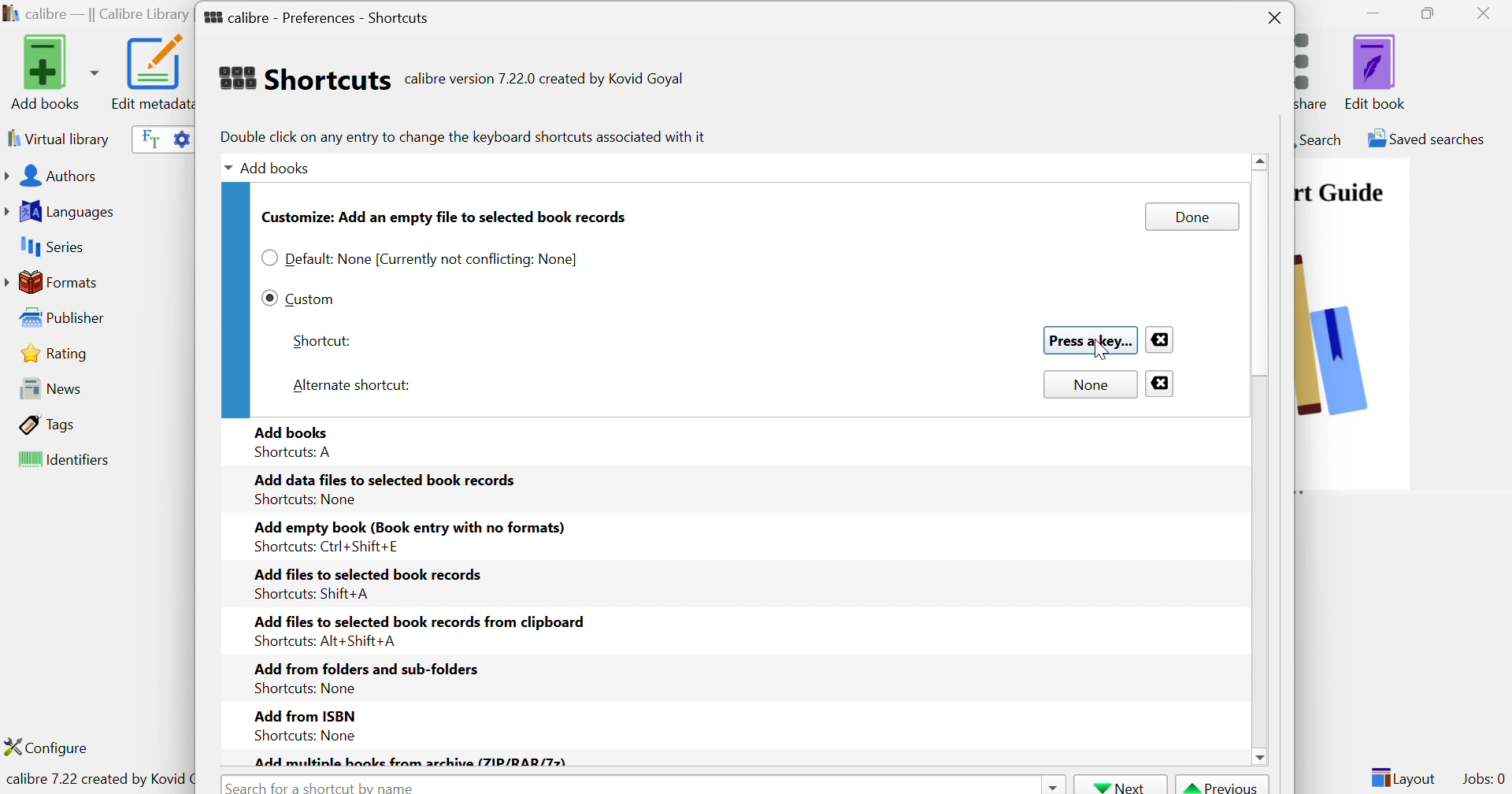 This screenshot has width=1512, height=794. I want to click on Search for a shortcut by name, so click(324, 785).